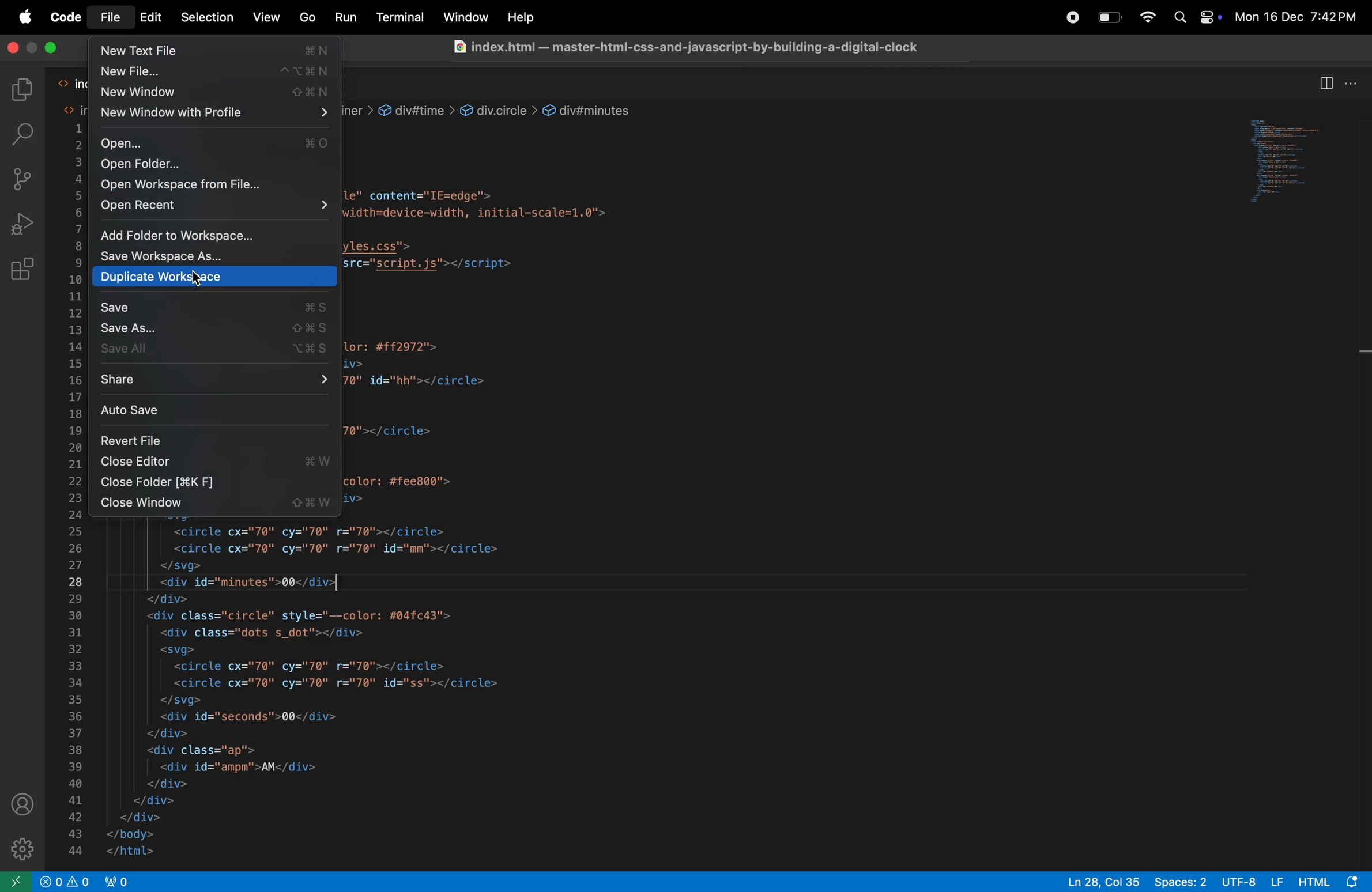 This screenshot has width=1372, height=892. What do you see at coordinates (1072, 18) in the screenshot?
I see `record` at bounding box center [1072, 18].